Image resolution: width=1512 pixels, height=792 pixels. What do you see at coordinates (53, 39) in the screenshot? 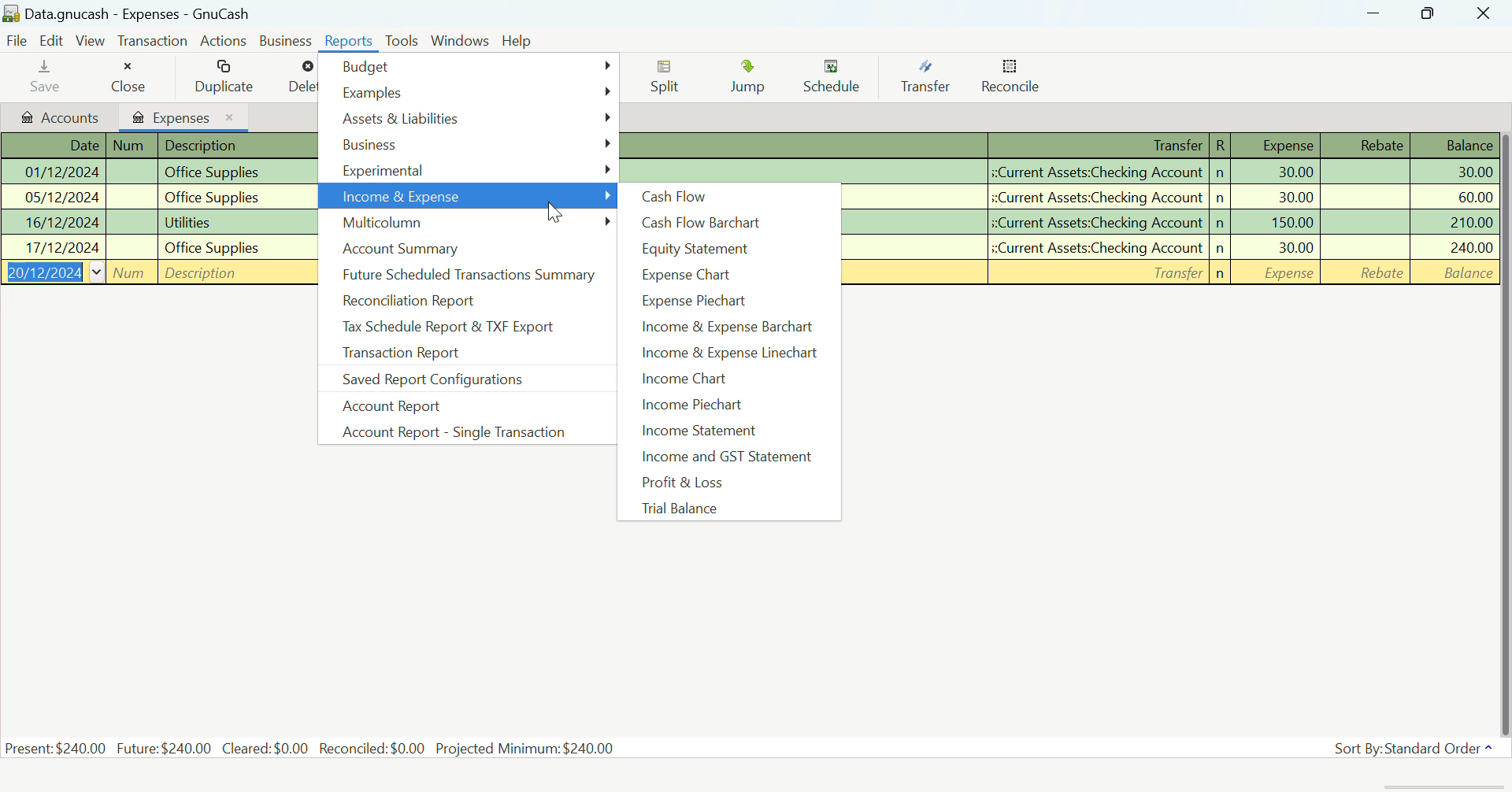
I see `Edit` at bounding box center [53, 39].